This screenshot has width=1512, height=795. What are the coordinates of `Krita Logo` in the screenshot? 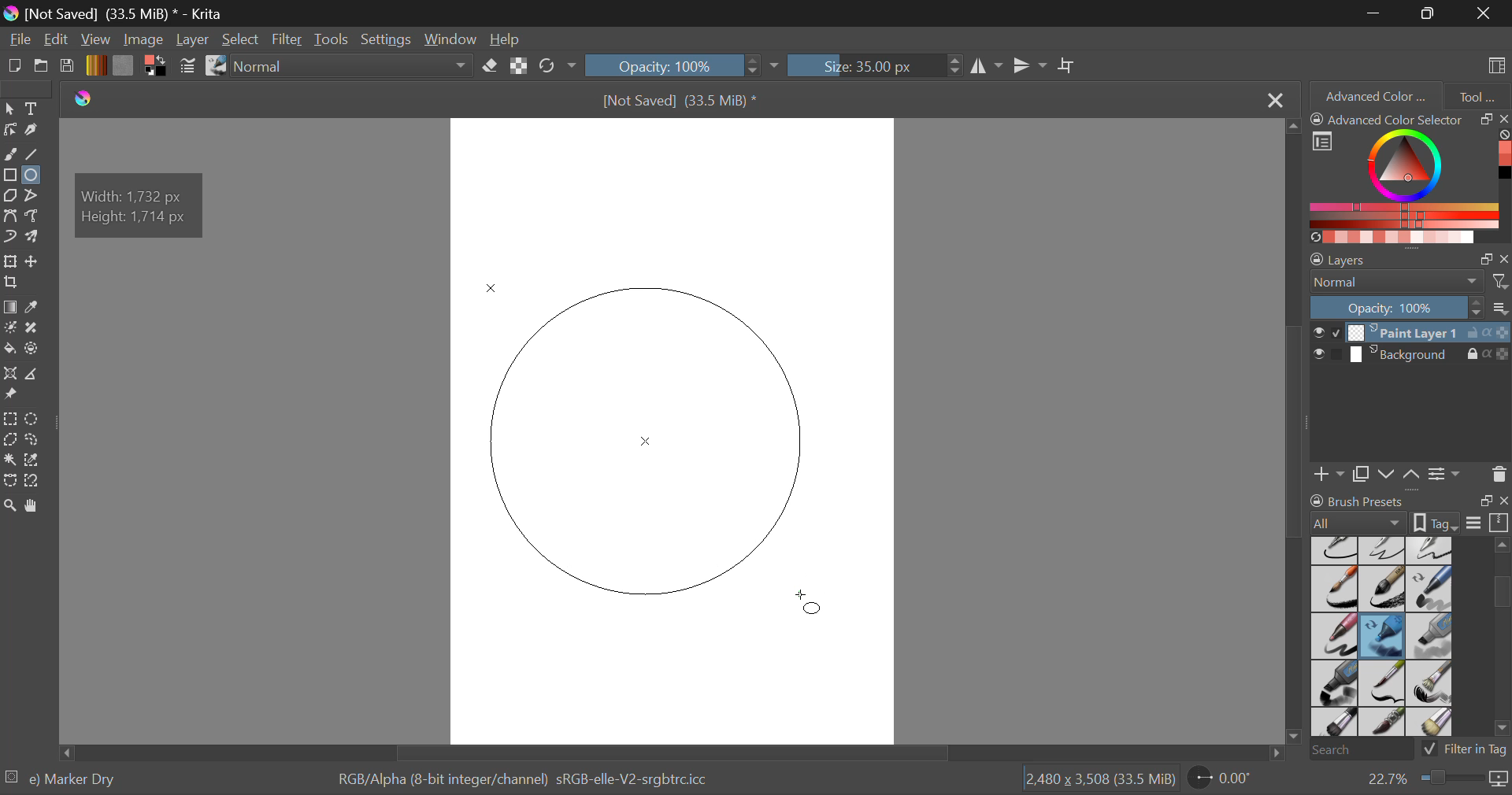 It's located at (82, 99).